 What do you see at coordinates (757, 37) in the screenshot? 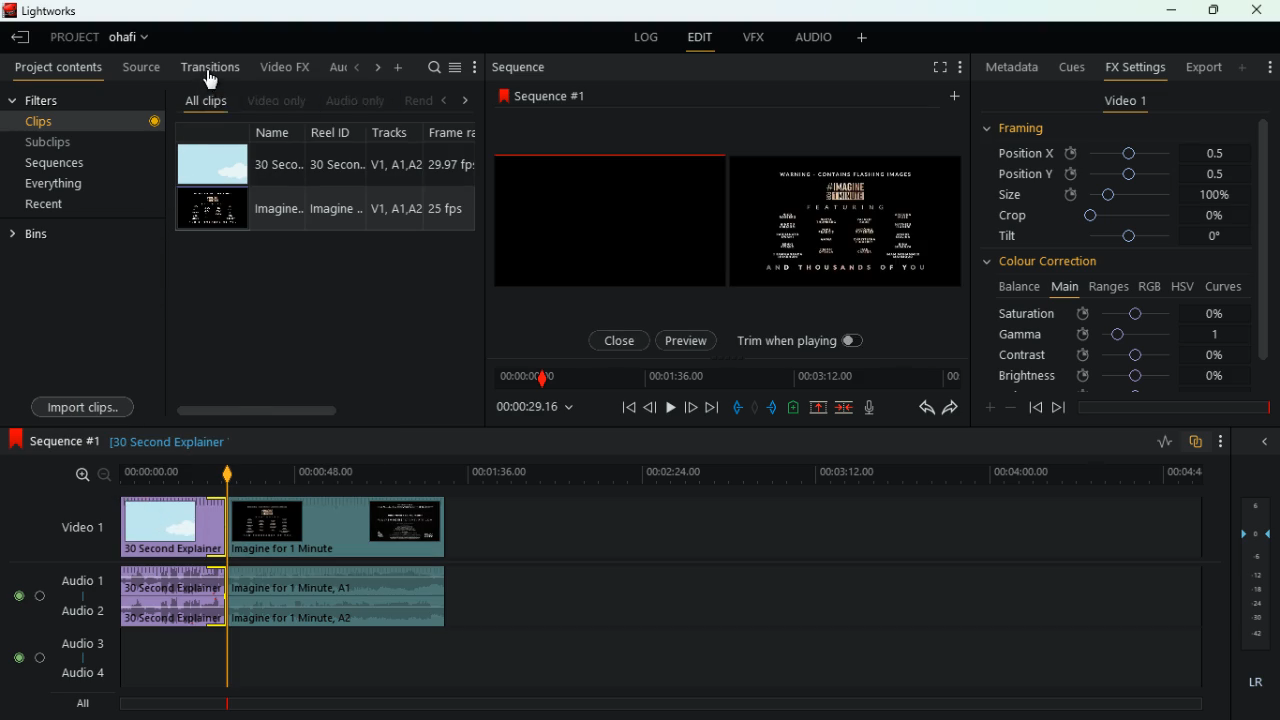
I see `vfx` at bounding box center [757, 37].